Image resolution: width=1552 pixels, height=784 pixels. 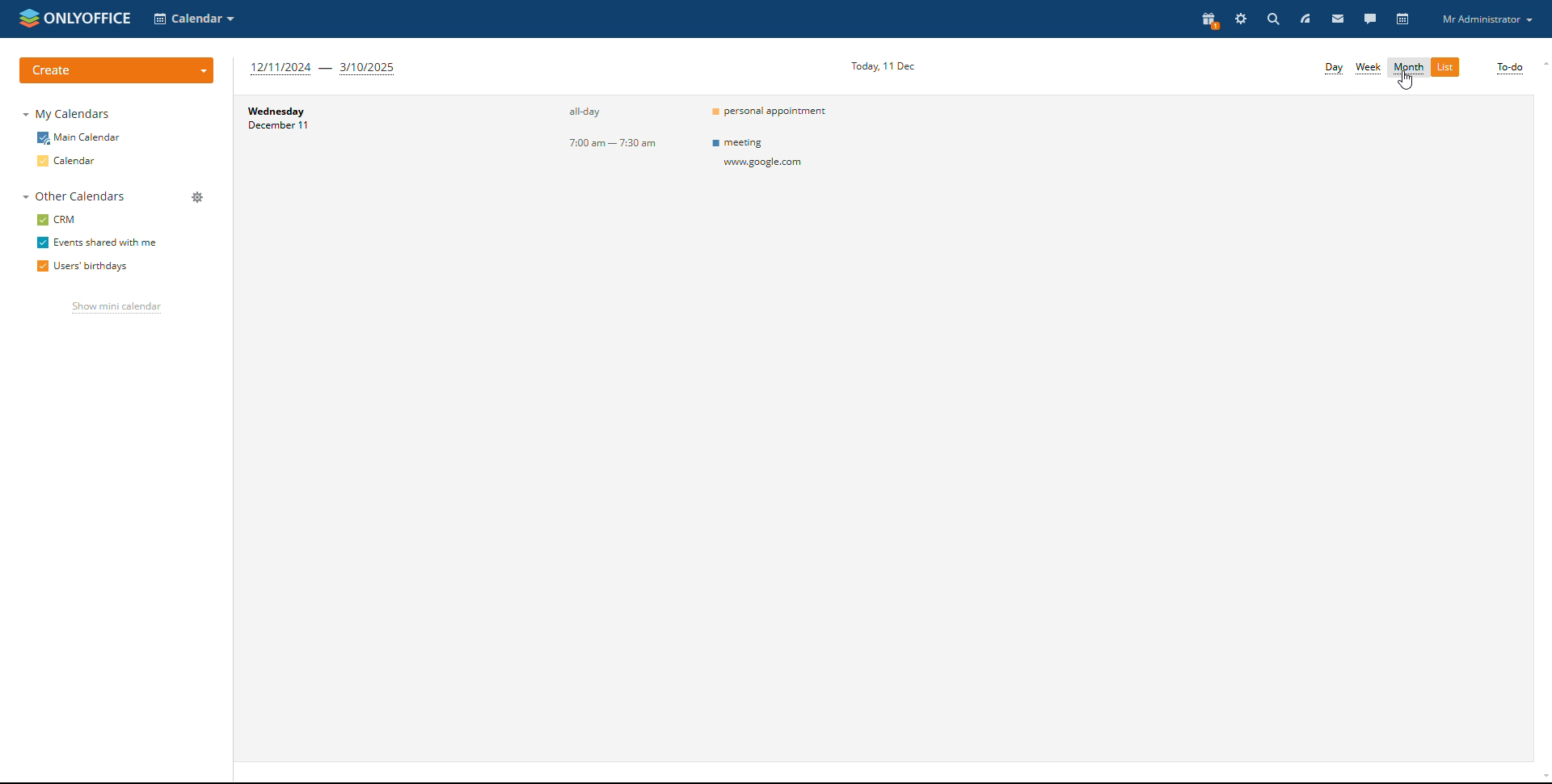 I want to click on day view, so click(x=1335, y=70).